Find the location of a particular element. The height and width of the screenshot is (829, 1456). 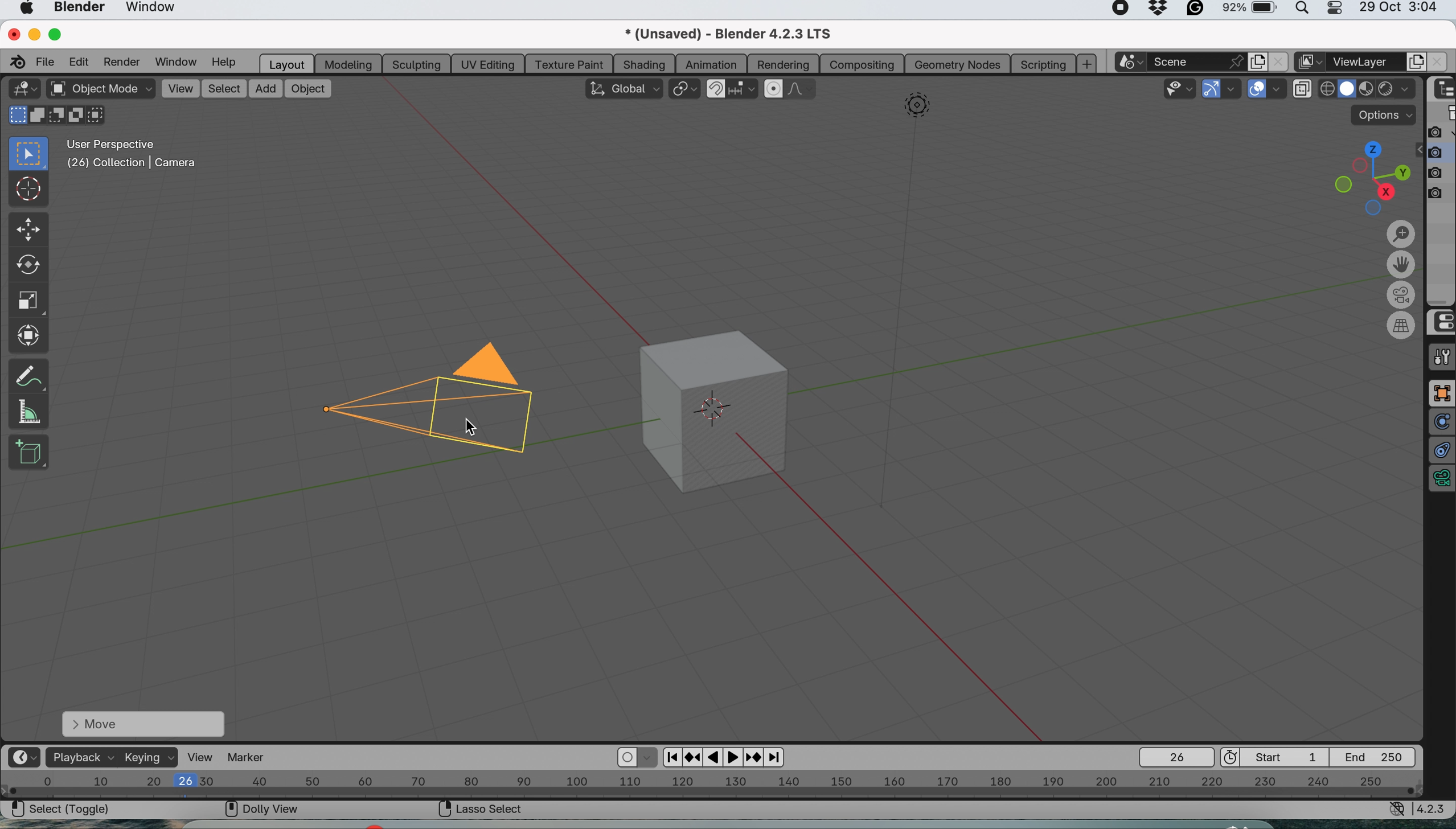

select box is located at coordinates (26, 154).